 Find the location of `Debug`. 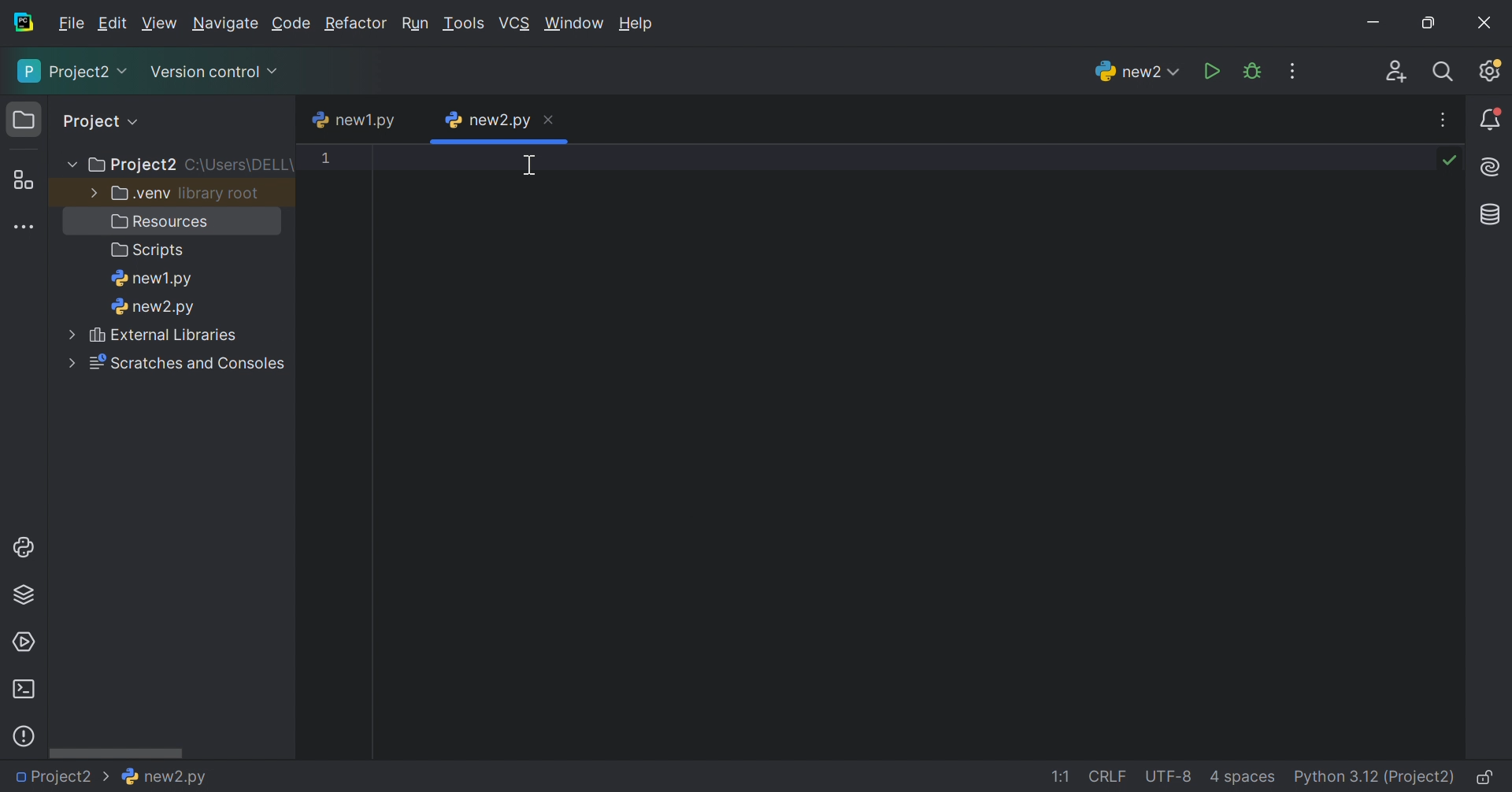

Debug is located at coordinates (1251, 71).